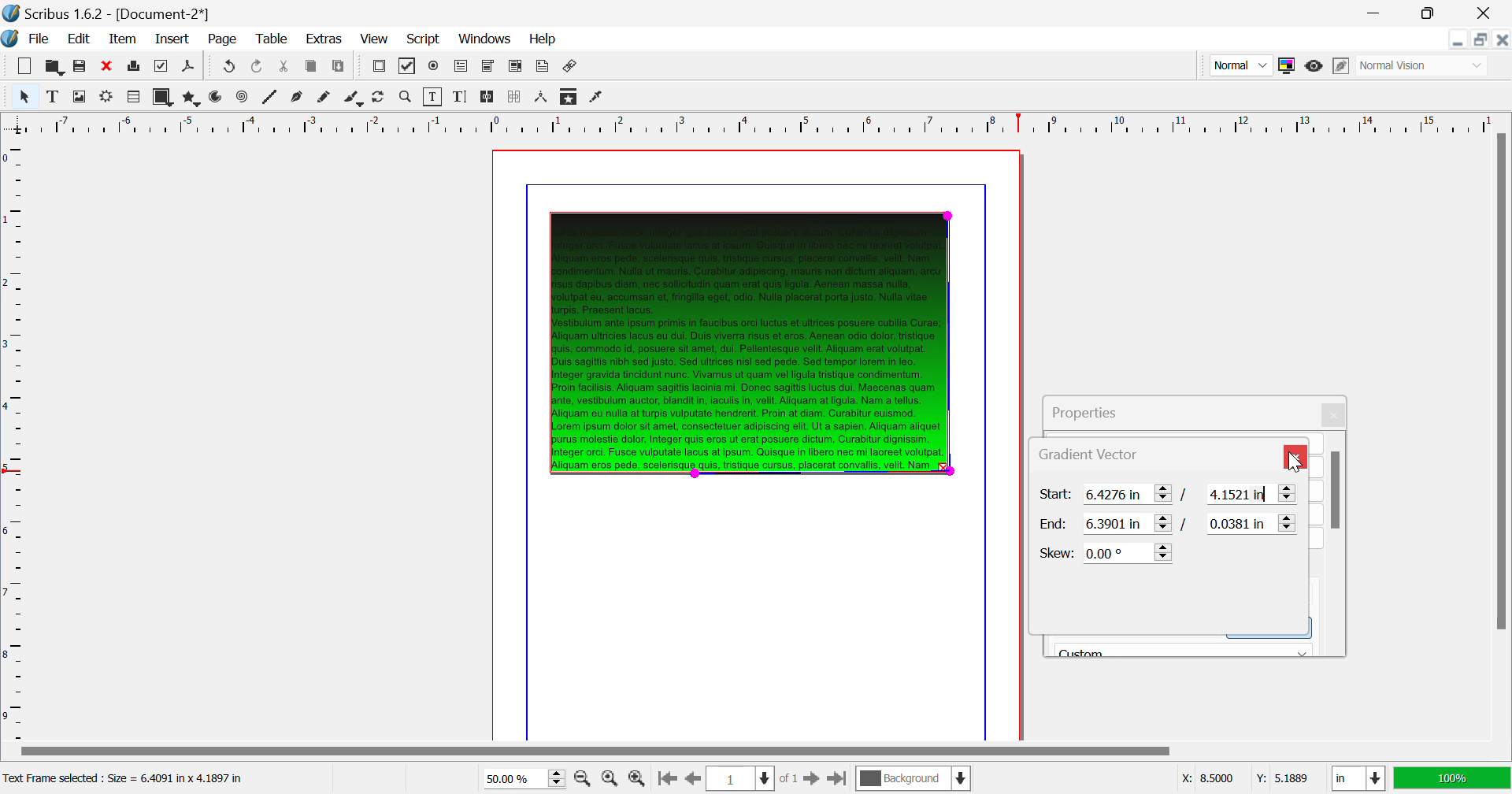 This screenshot has width=1512, height=794. Describe the element at coordinates (780, 123) in the screenshot. I see `Vertical Page Margin` at that location.